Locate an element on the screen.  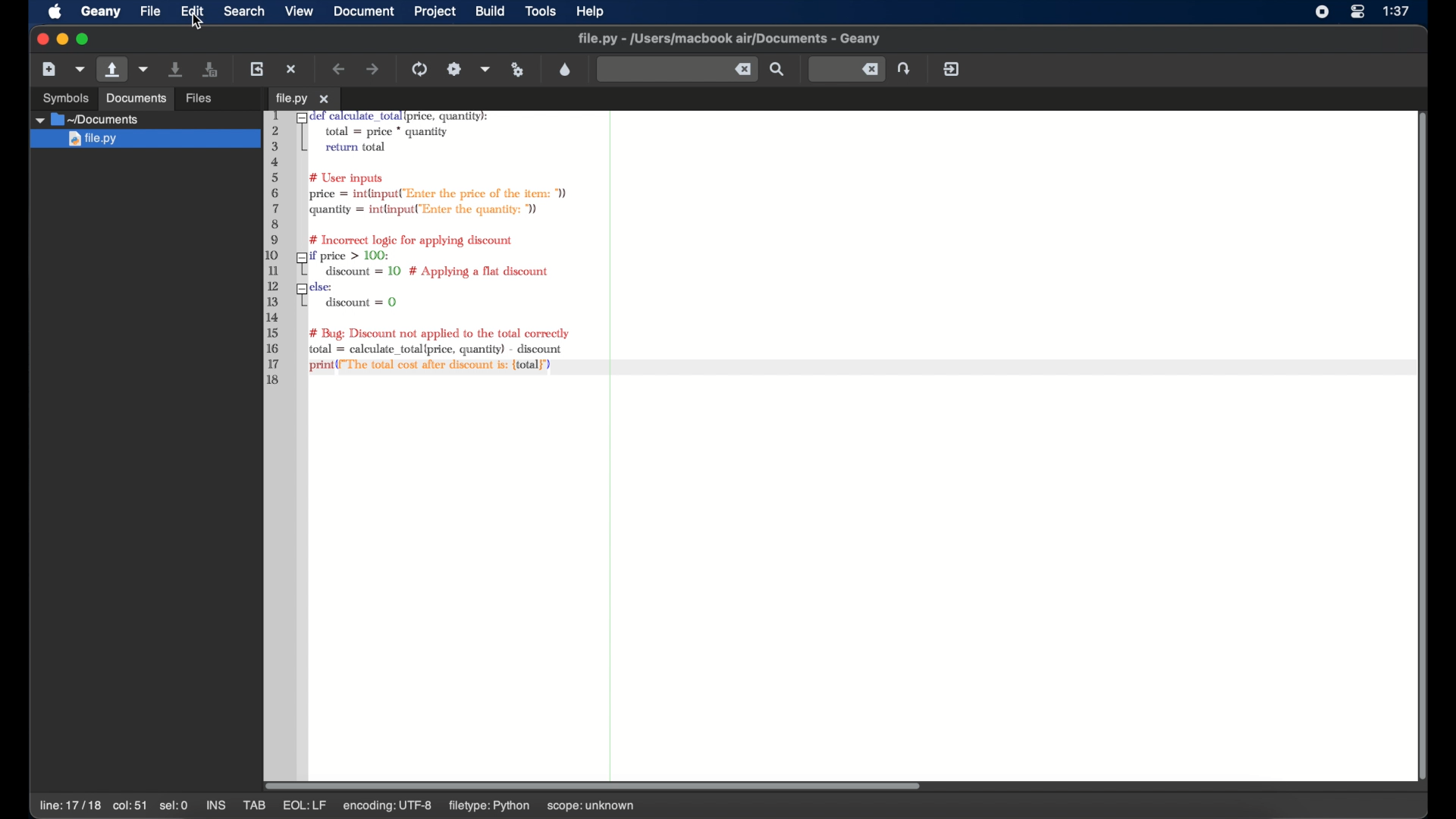
col:51 is located at coordinates (130, 807).